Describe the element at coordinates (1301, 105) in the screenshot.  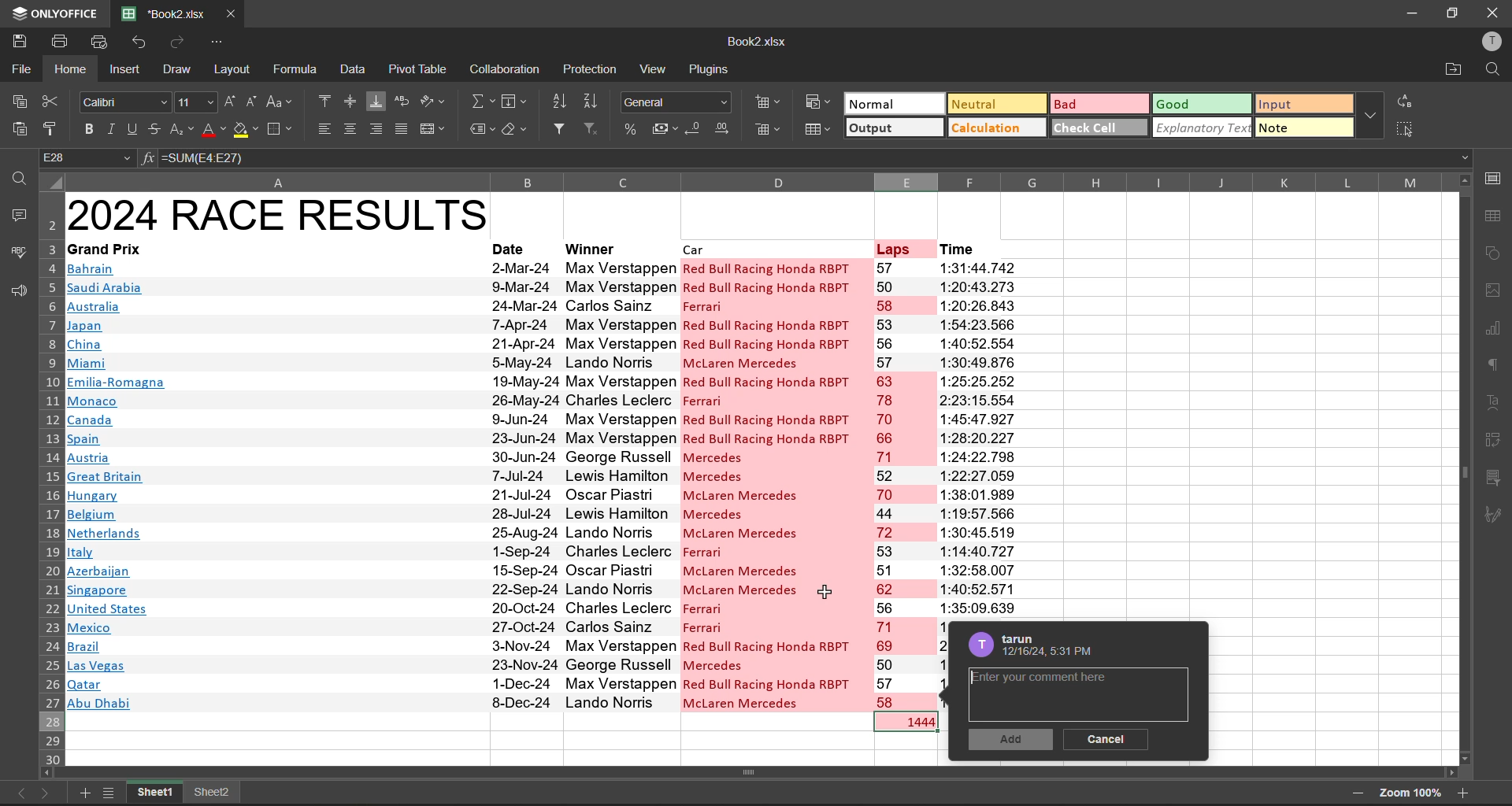
I see `input` at that location.